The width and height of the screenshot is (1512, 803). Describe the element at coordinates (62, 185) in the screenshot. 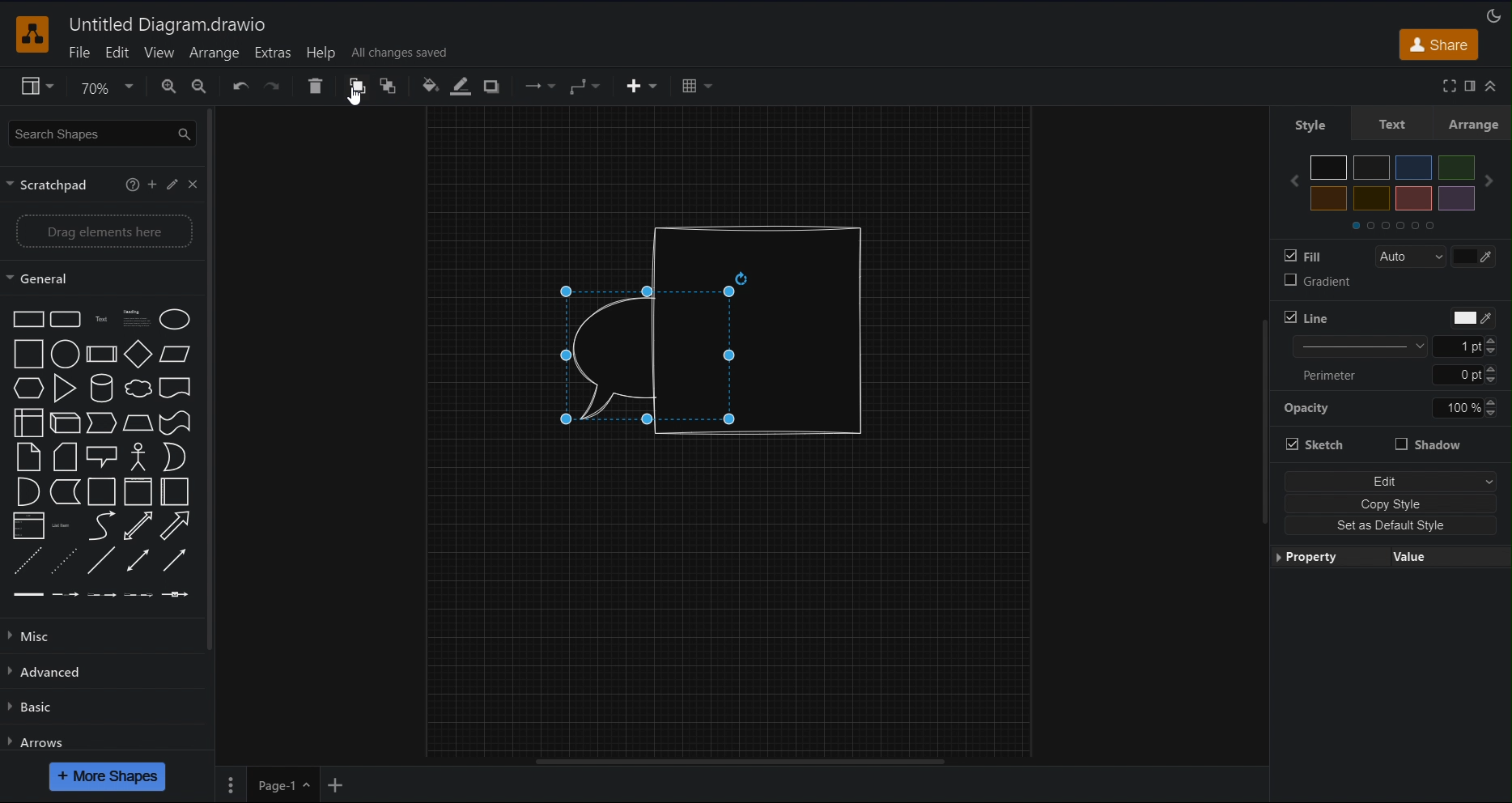

I see `Scratchpad` at that location.